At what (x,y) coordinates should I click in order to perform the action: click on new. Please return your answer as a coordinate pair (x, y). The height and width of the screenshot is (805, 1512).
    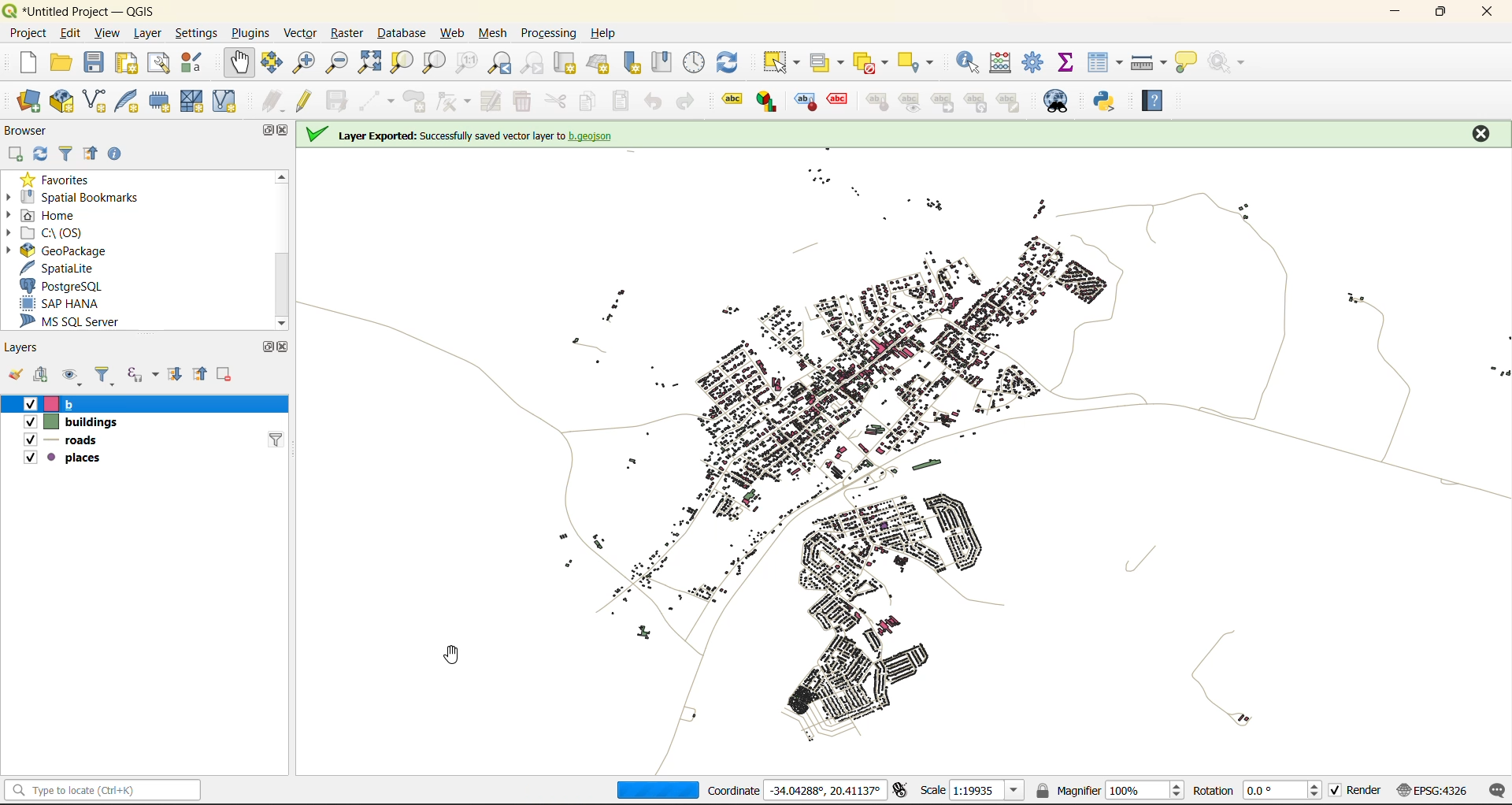
    Looking at the image, I should click on (28, 63).